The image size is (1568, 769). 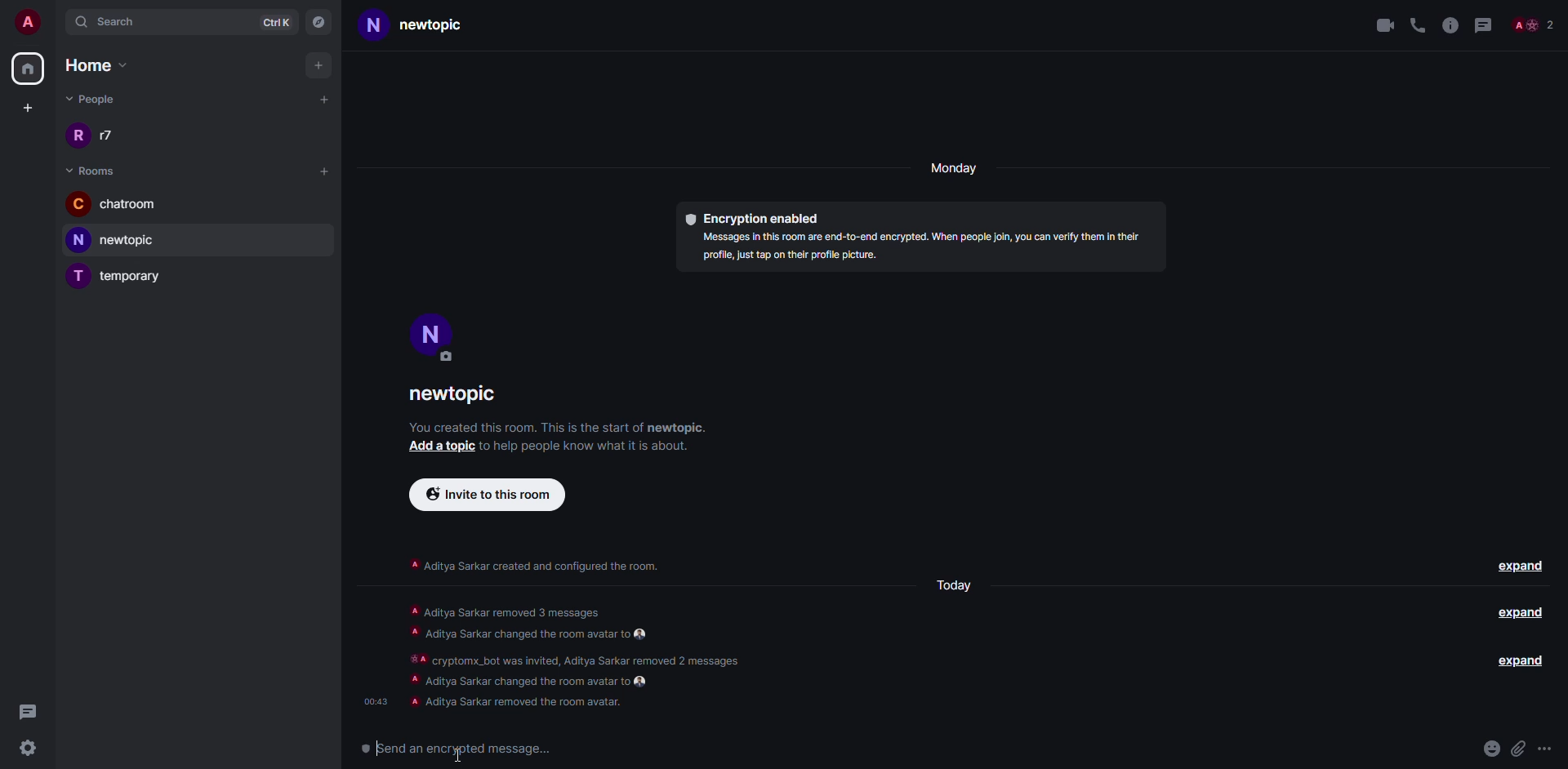 I want to click on settings, so click(x=27, y=749).